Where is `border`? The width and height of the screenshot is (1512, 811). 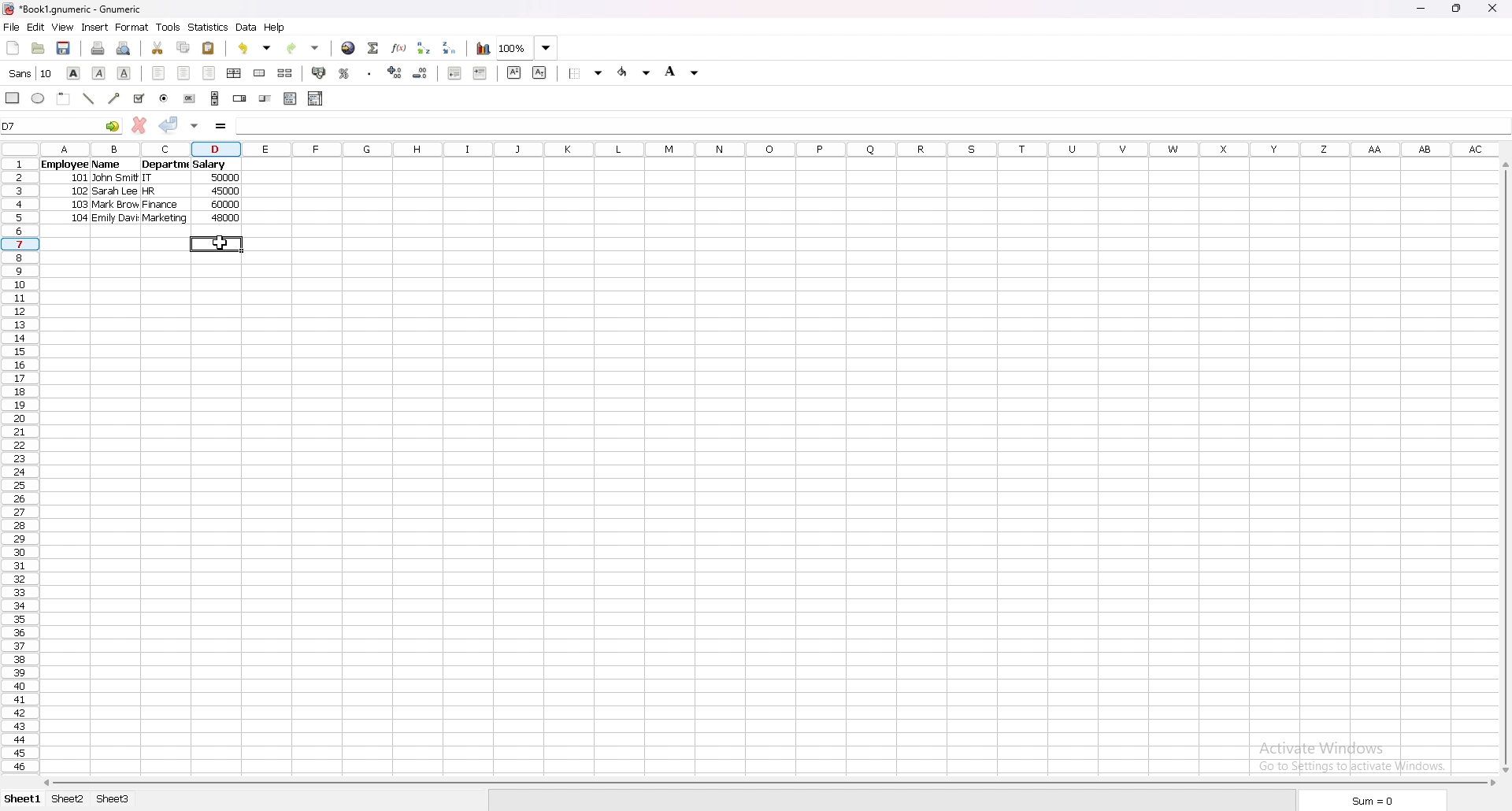
border is located at coordinates (586, 73).